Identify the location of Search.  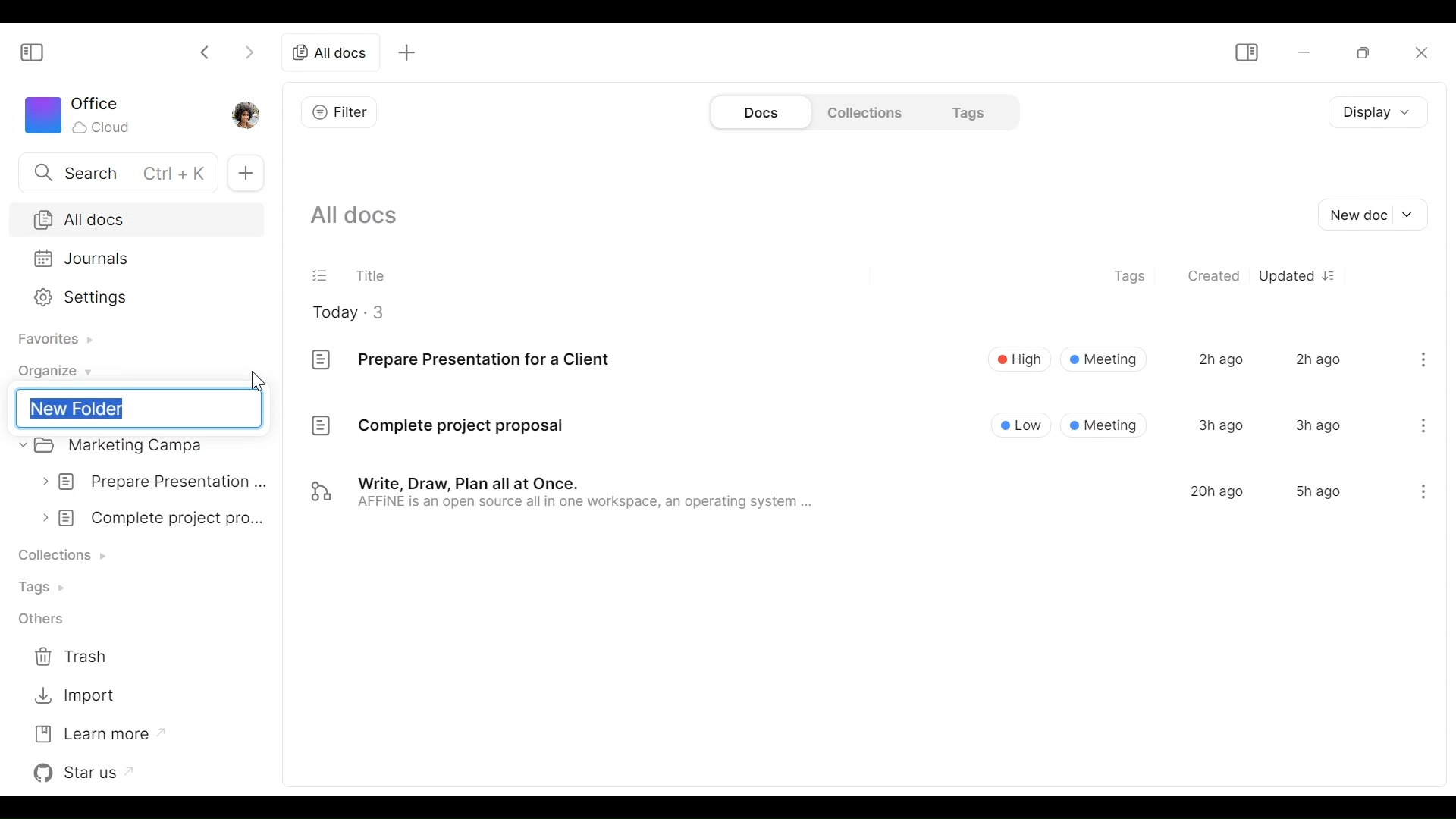
(115, 171).